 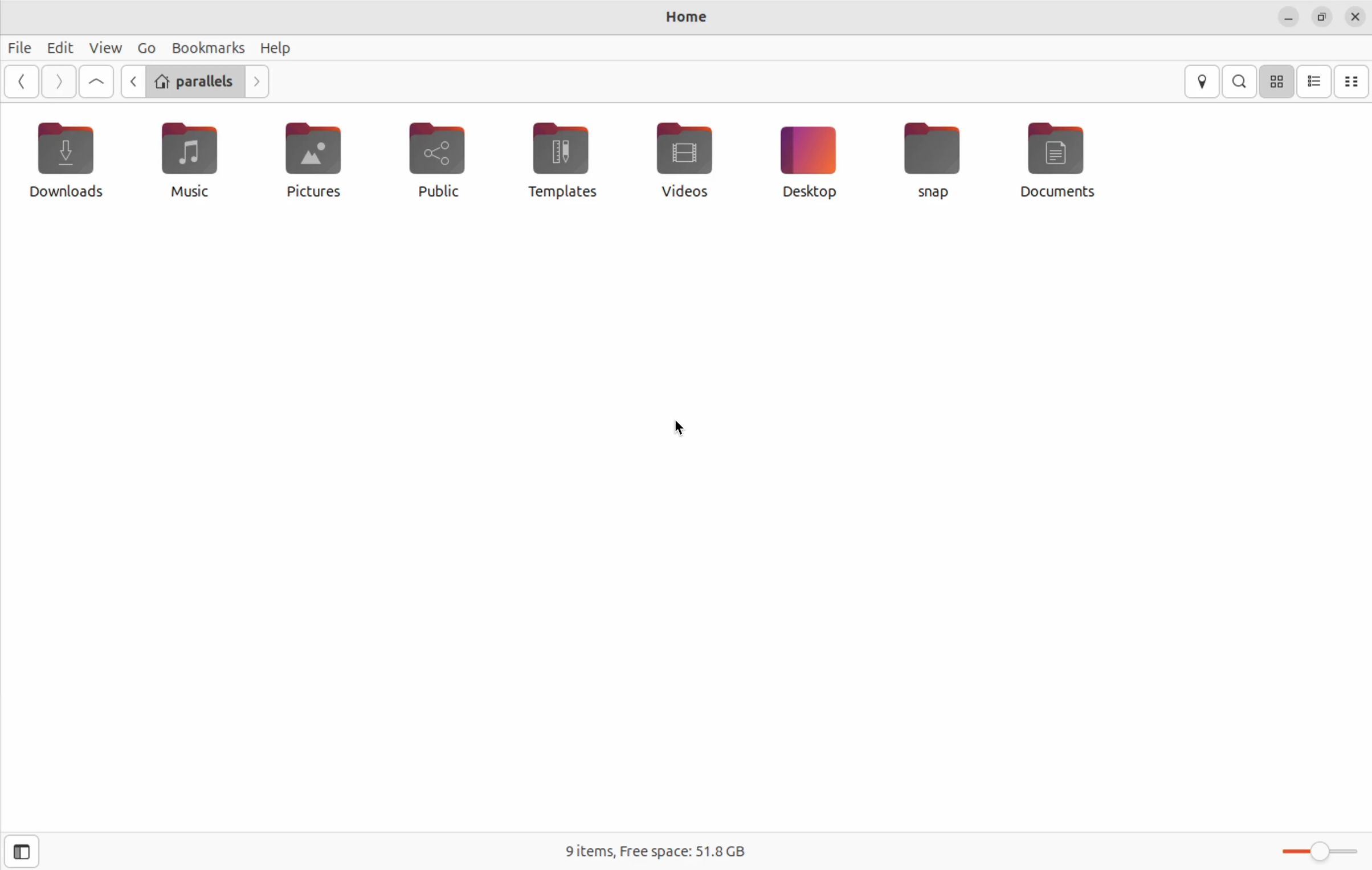 I want to click on compact view, so click(x=1354, y=80).